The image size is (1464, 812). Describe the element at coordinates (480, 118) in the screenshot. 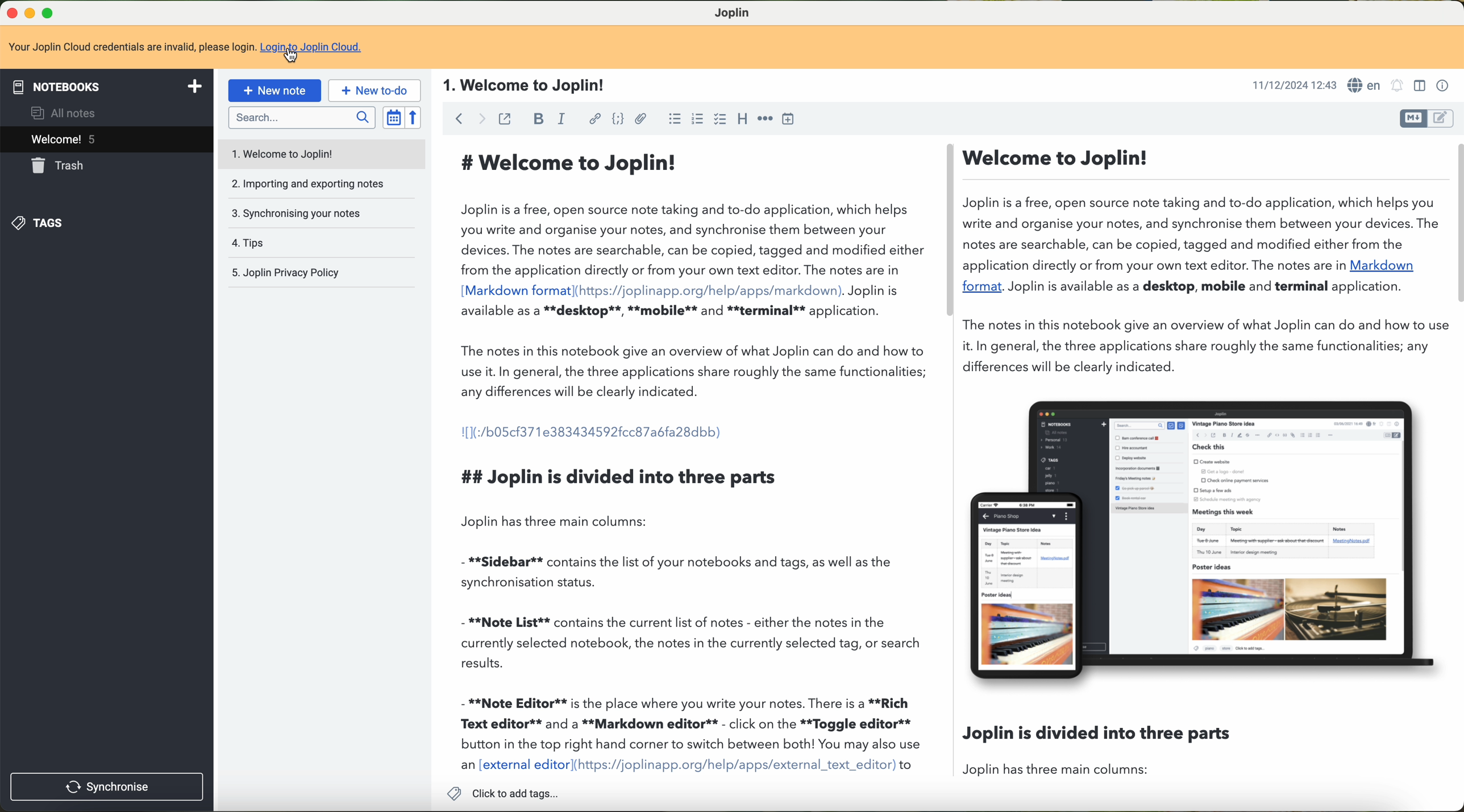

I see `navigate foward ` at that location.